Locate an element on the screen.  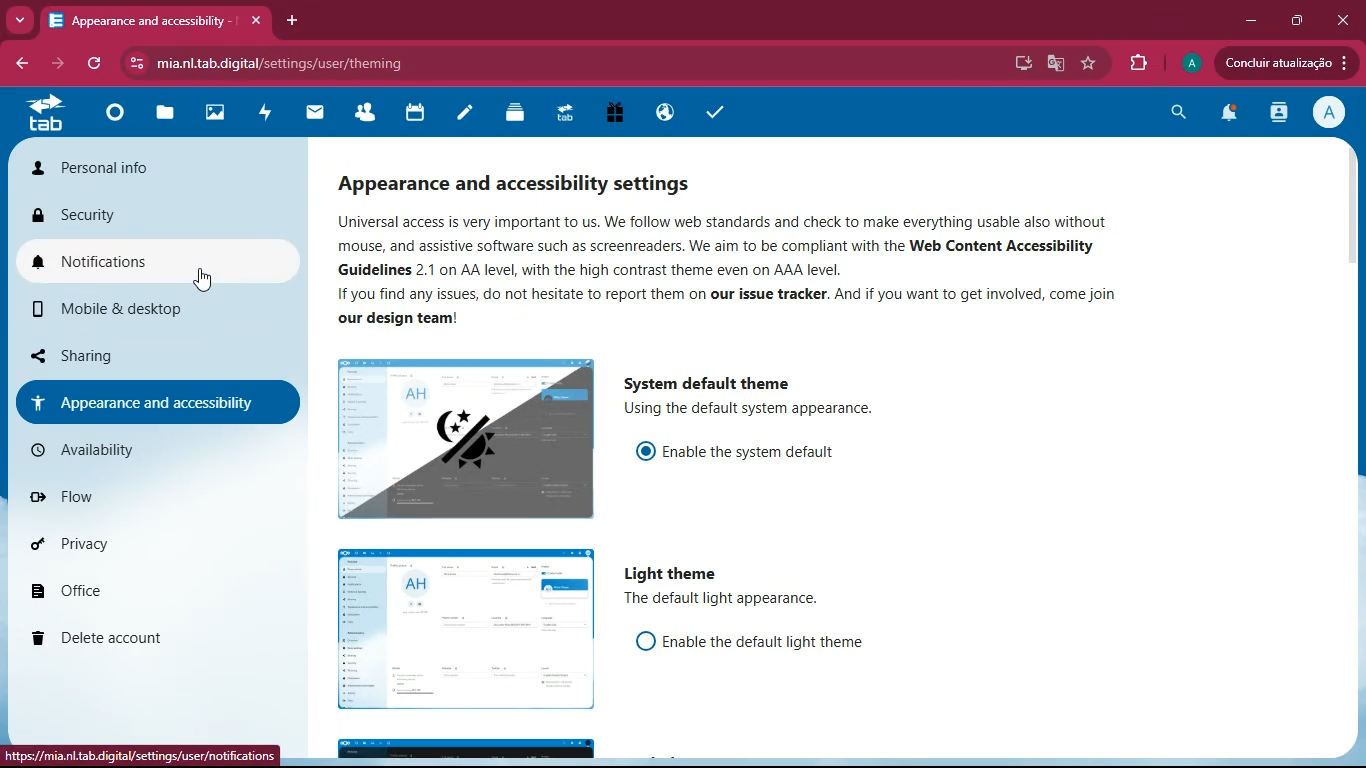
friends is located at coordinates (371, 113).